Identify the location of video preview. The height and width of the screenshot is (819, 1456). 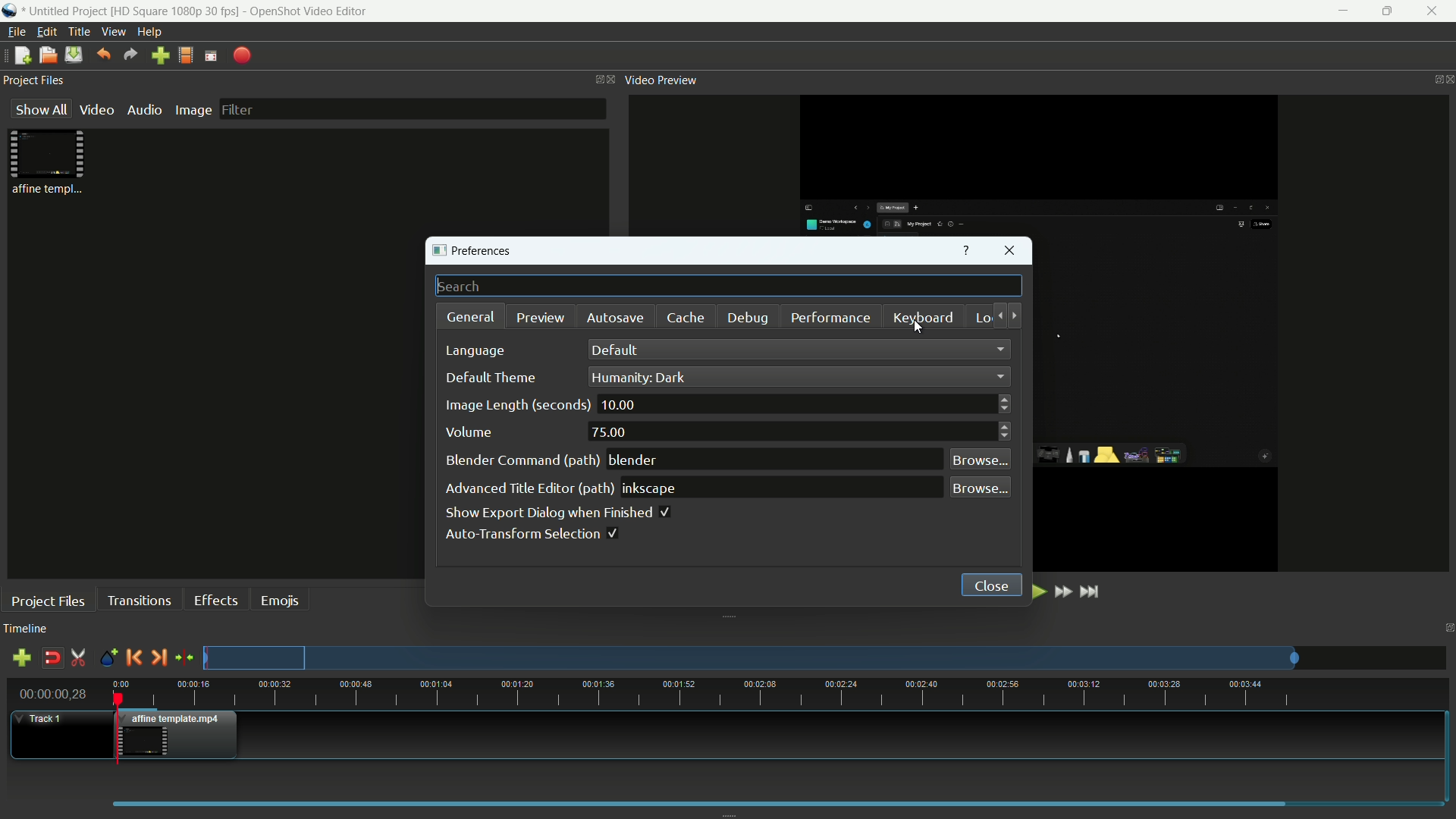
(662, 80).